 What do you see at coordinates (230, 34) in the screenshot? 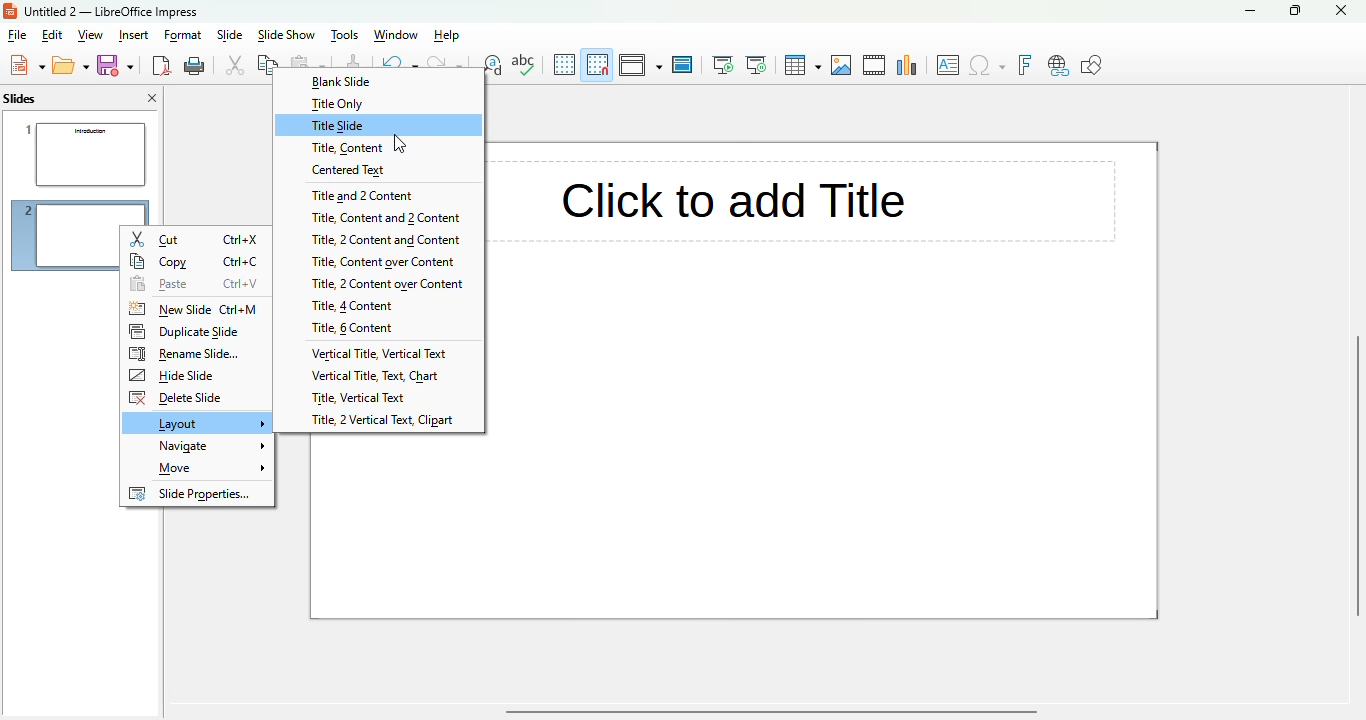
I see `slide` at bounding box center [230, 34].